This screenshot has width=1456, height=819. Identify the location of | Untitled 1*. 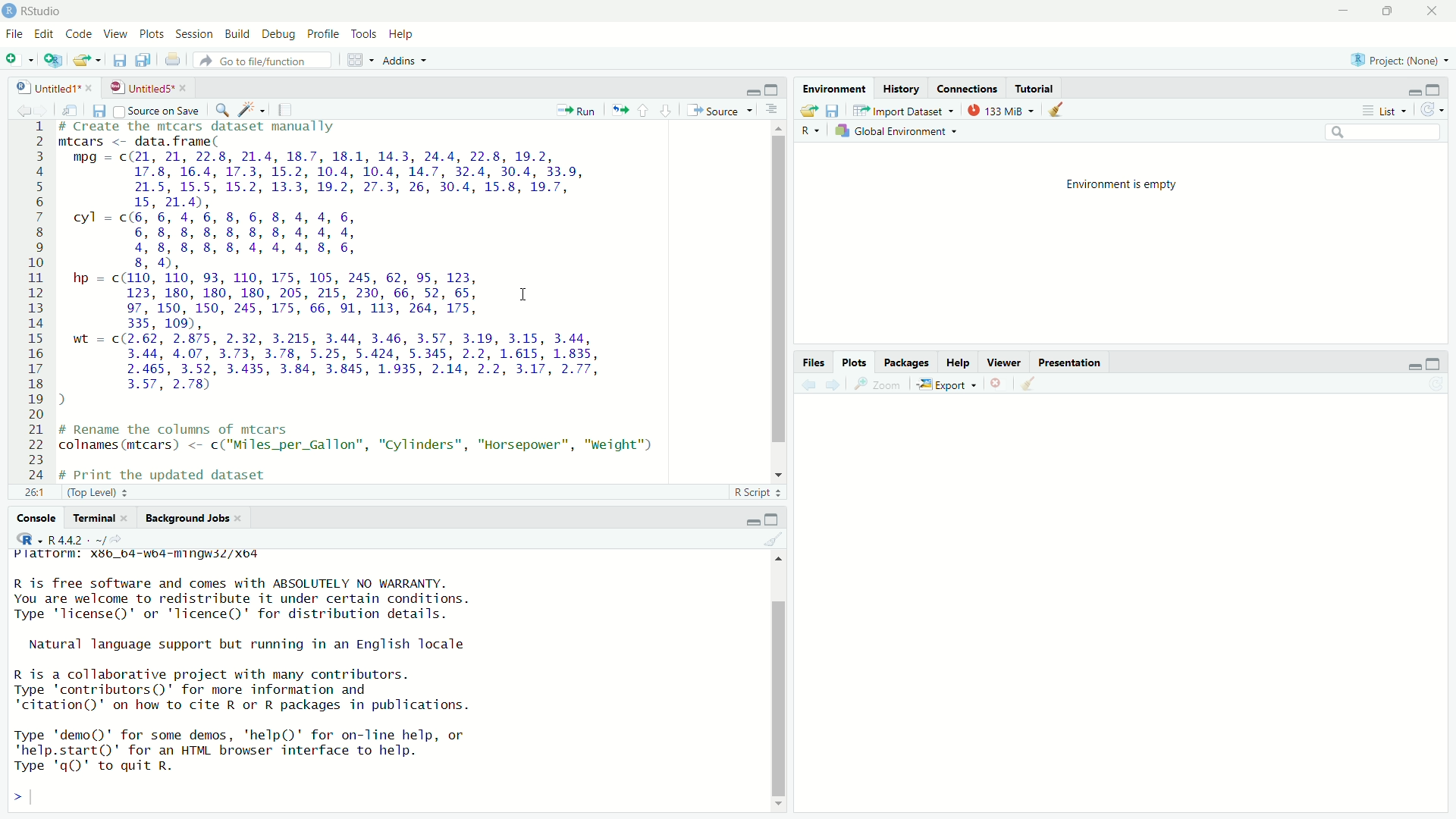
(49, 87).